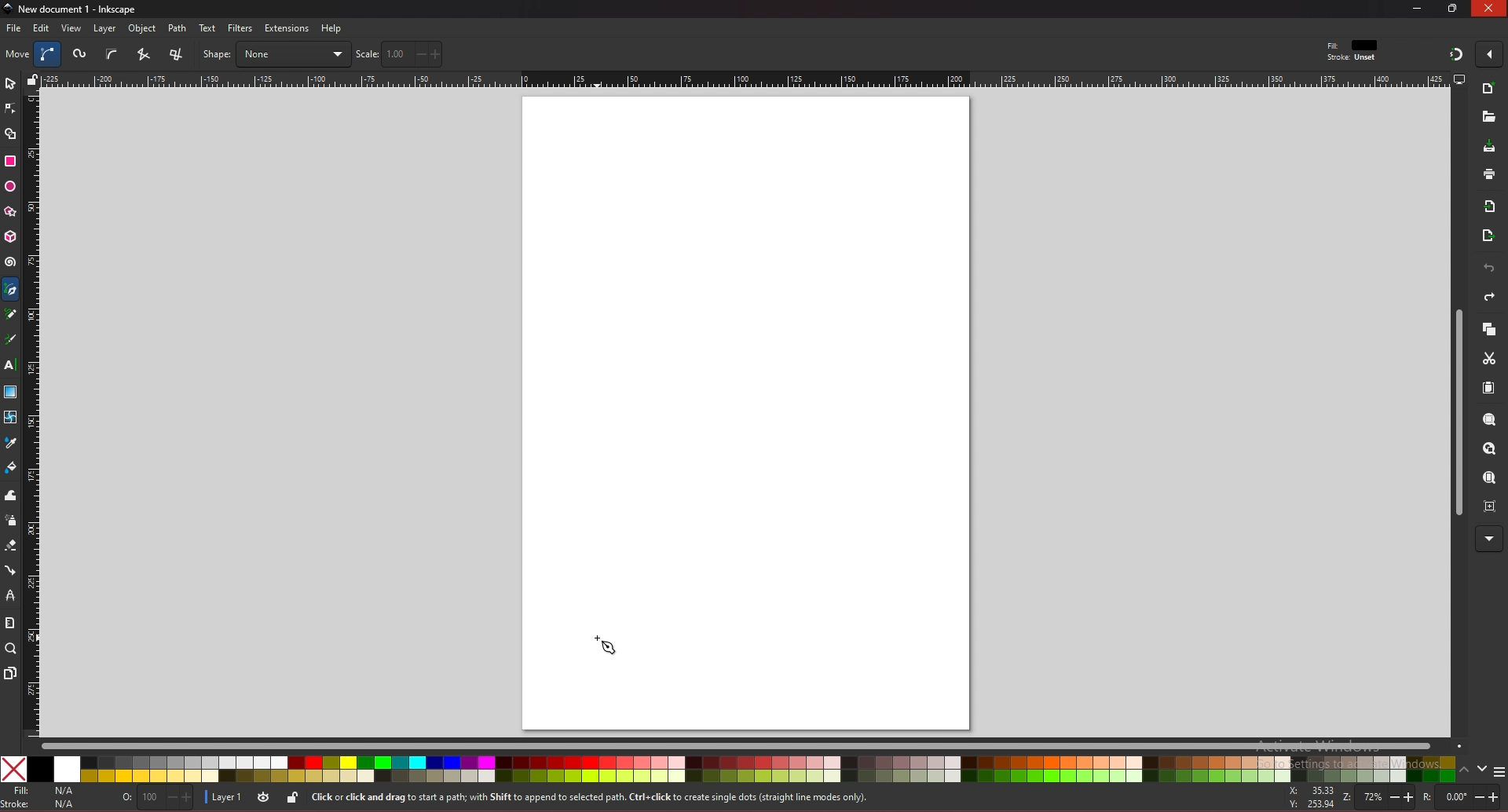  What do you see at coordinates (1488, 479) in the screenshot?
I see `zoom page` at bounding box center [1488, 479].